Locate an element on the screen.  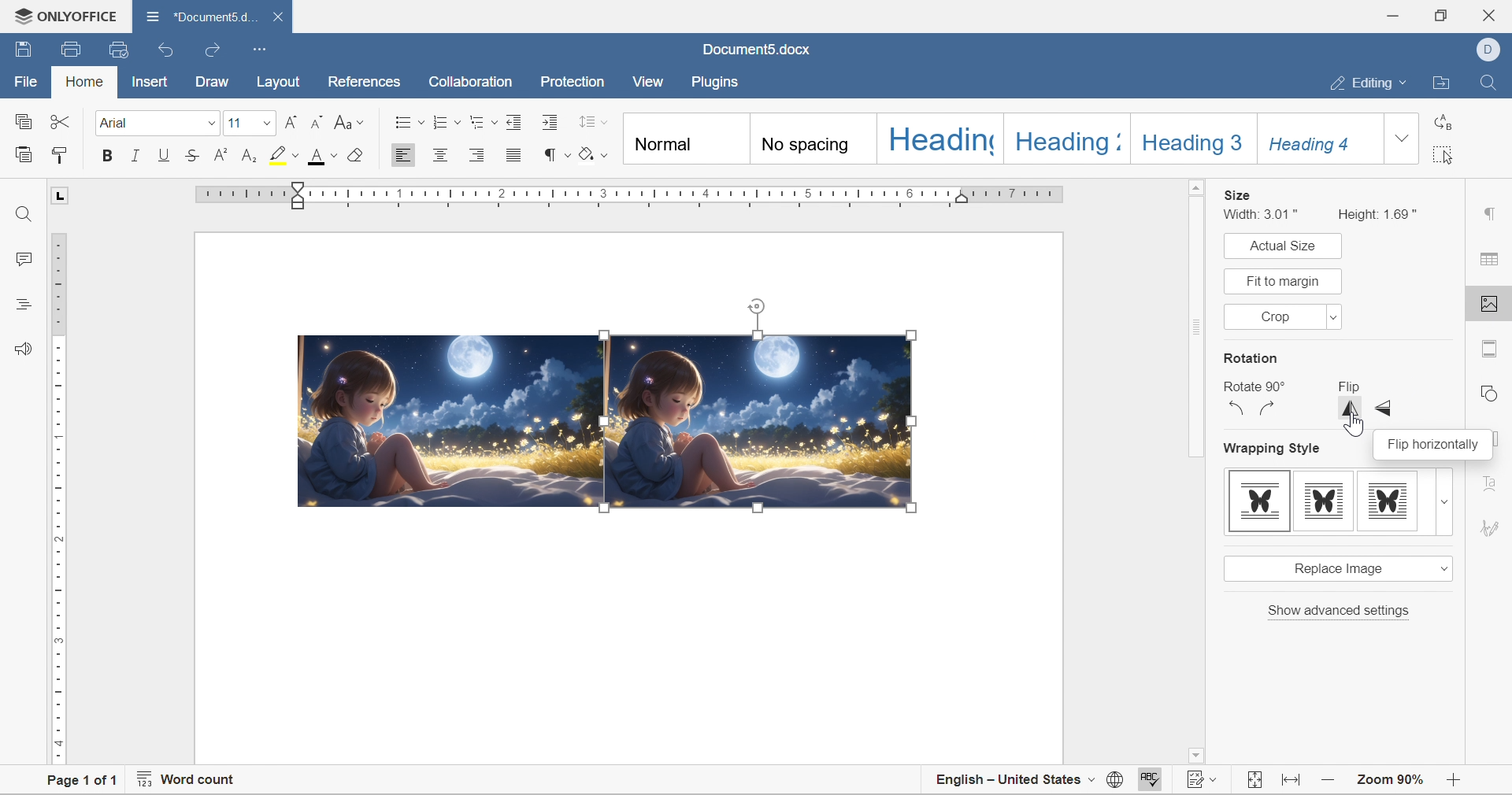
show advanced settings is located at coordinates (1340, 611).